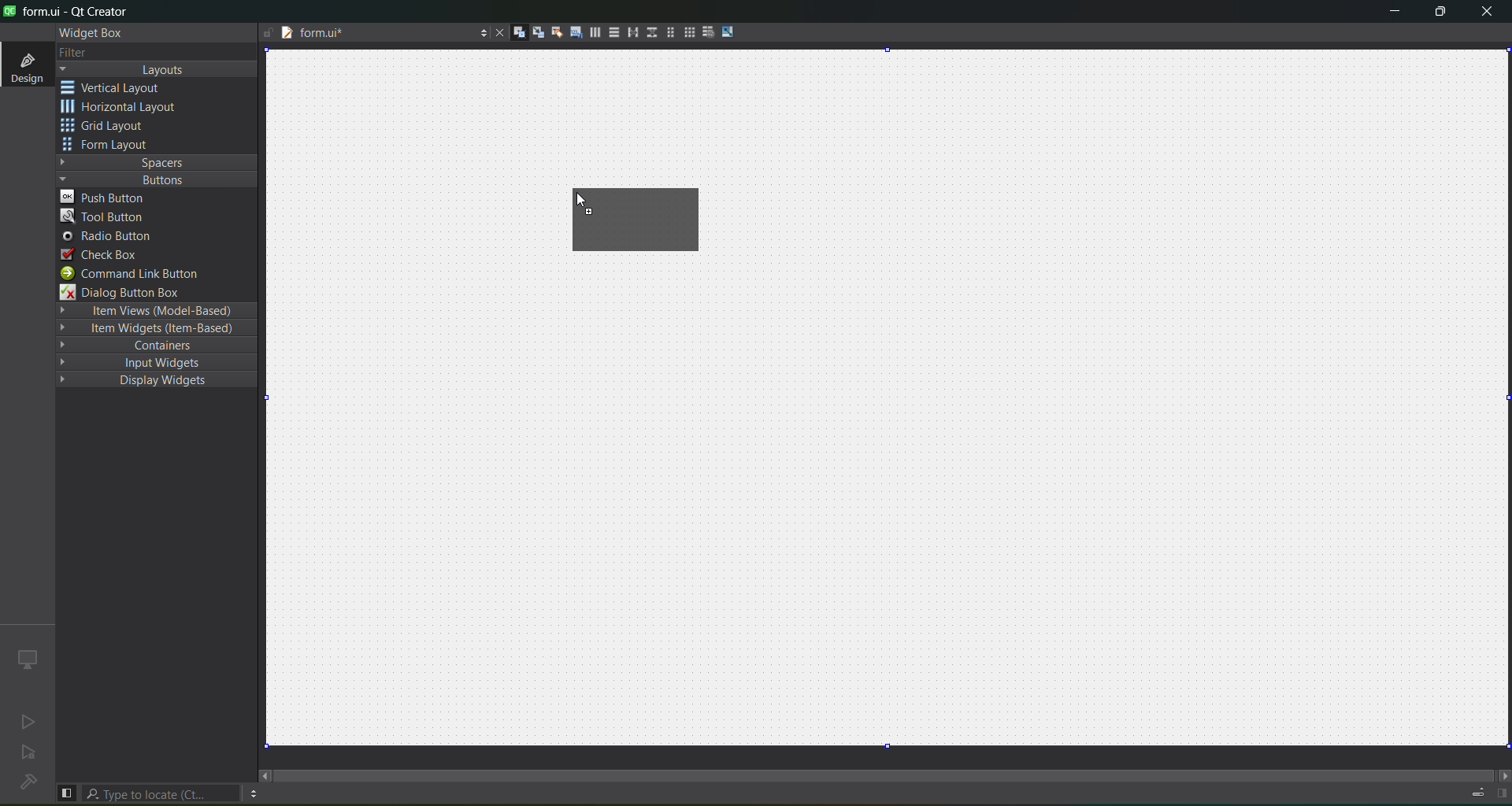 This screenshot has height=806, width=1512. What do you see at coordinates (639, 220) in the screenshot?
I see `grid layout` at bounding box center [639, 220].